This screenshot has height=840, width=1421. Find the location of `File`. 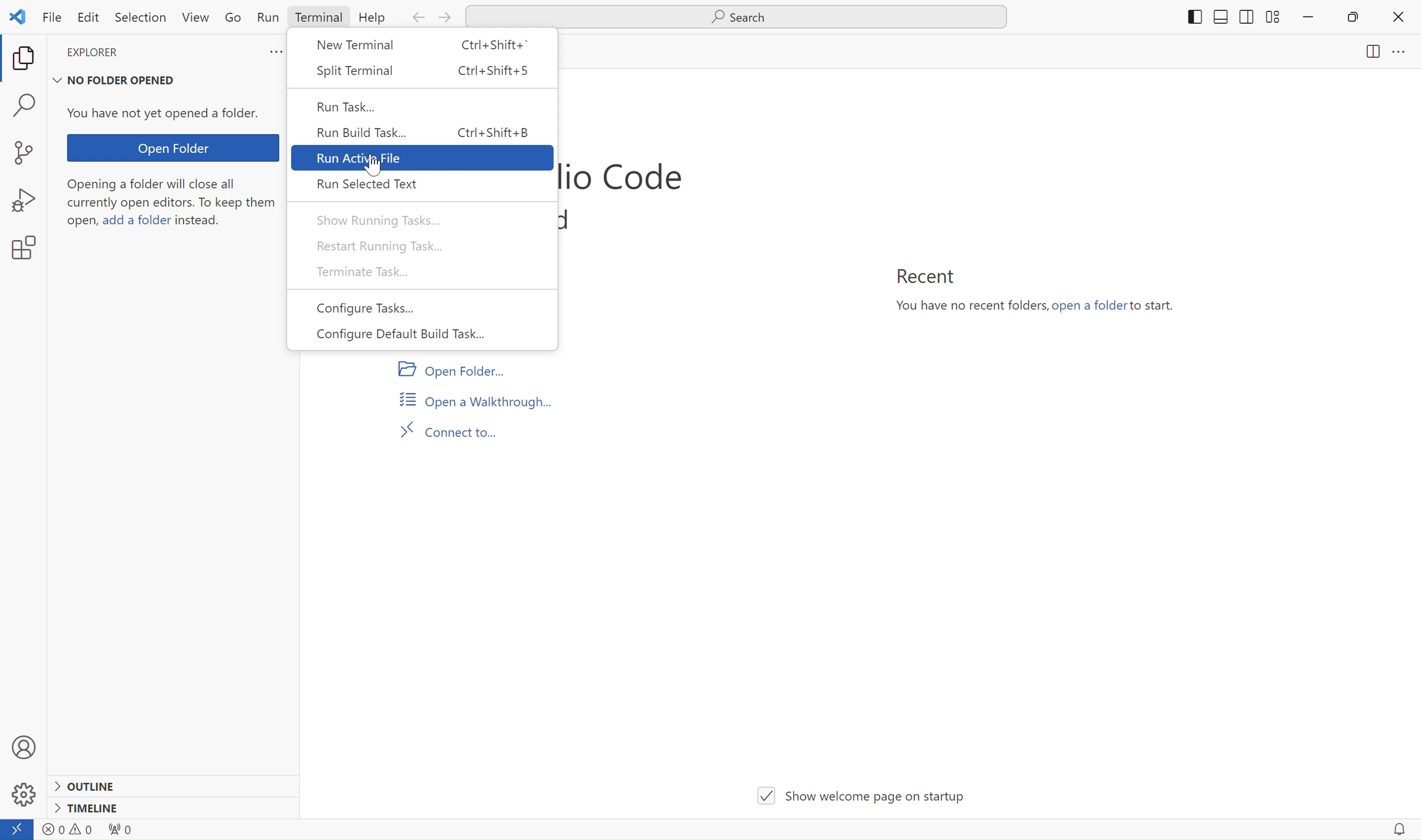

File is located at coordinates (49, 16).